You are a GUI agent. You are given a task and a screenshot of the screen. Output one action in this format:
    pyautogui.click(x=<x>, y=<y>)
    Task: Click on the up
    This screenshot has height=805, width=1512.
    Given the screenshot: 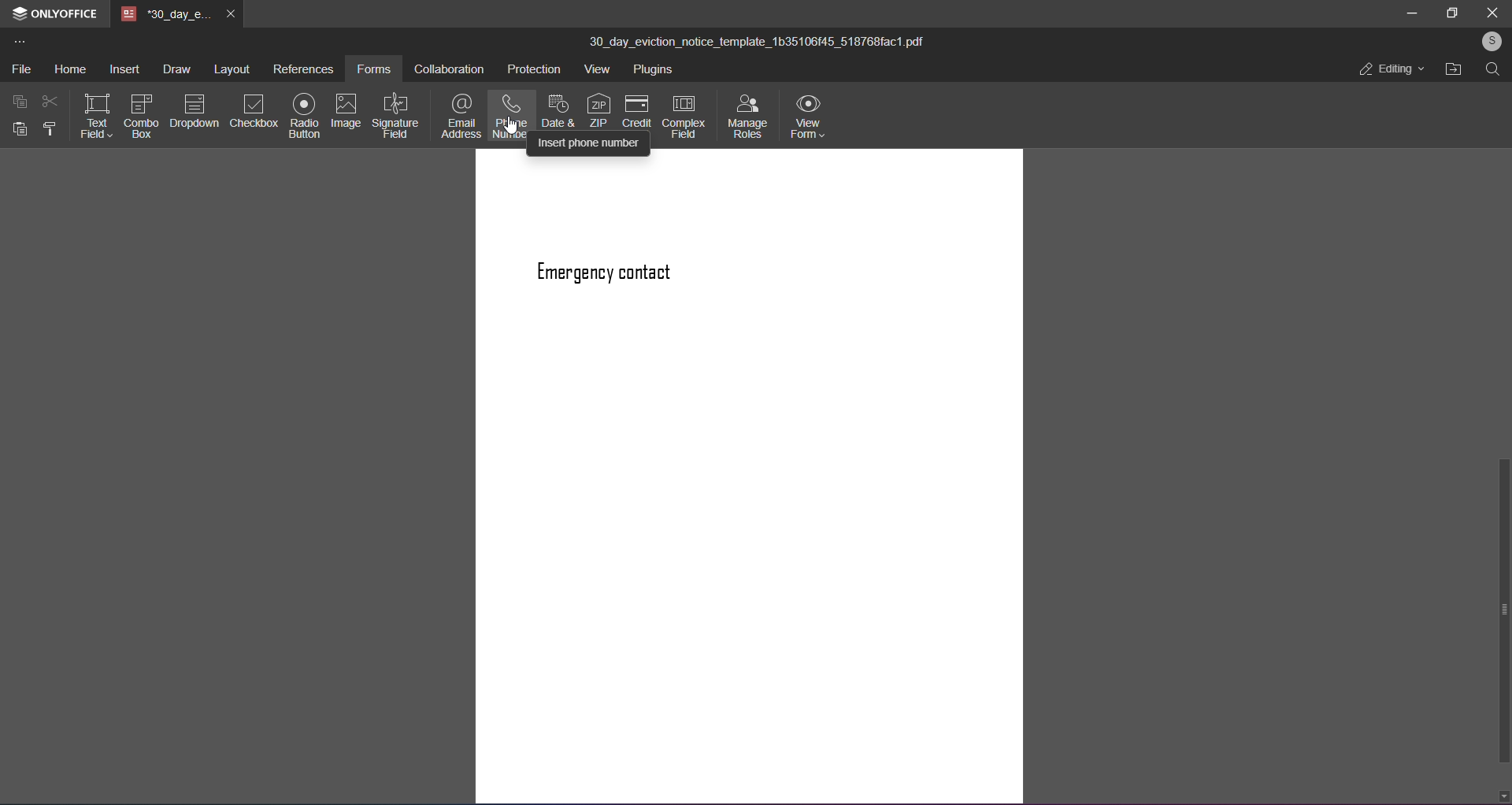 What is the action you would take?
    pyautogui.click(x=1501, y=90)
    